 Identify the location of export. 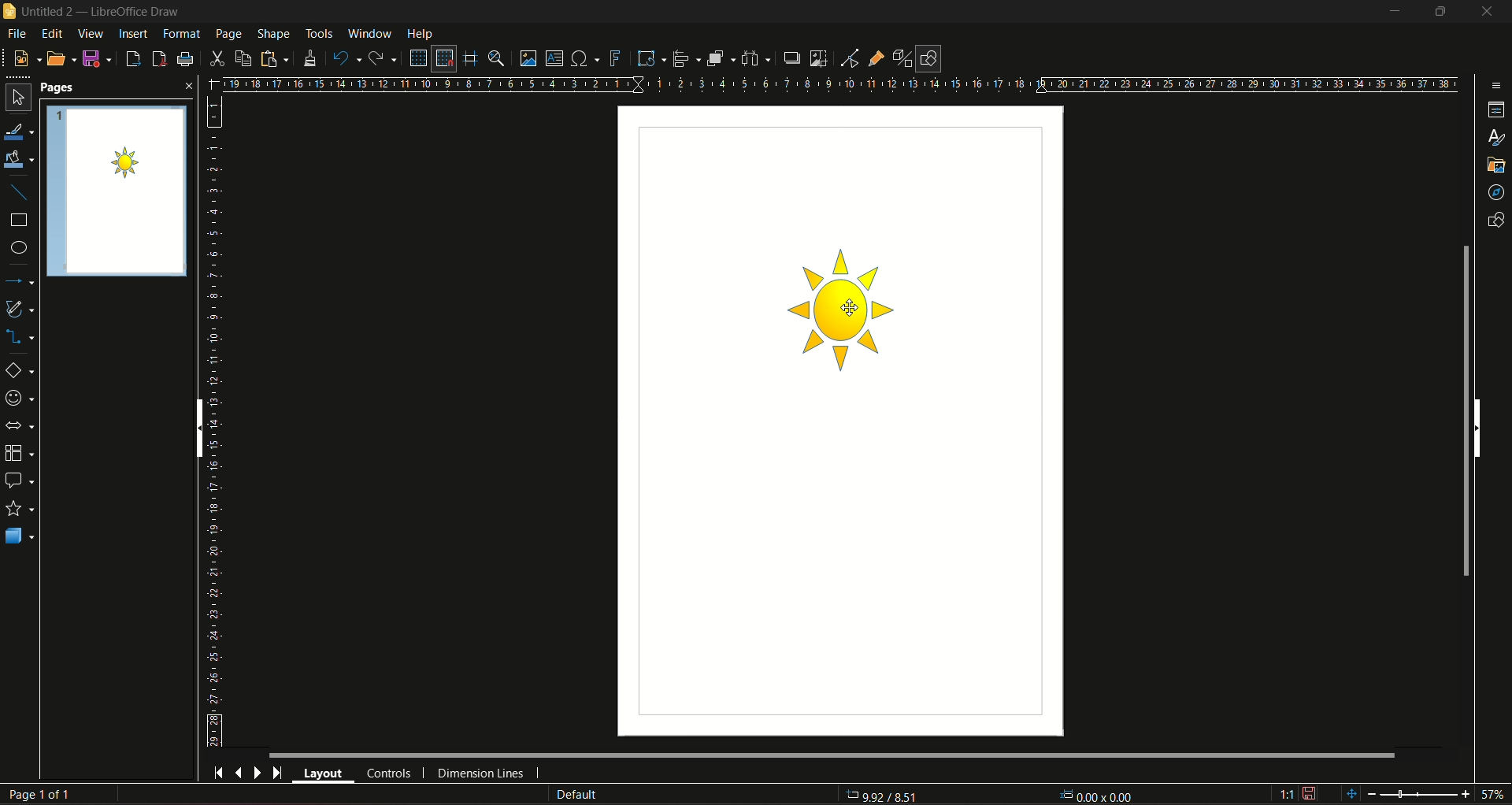
(133, 59).